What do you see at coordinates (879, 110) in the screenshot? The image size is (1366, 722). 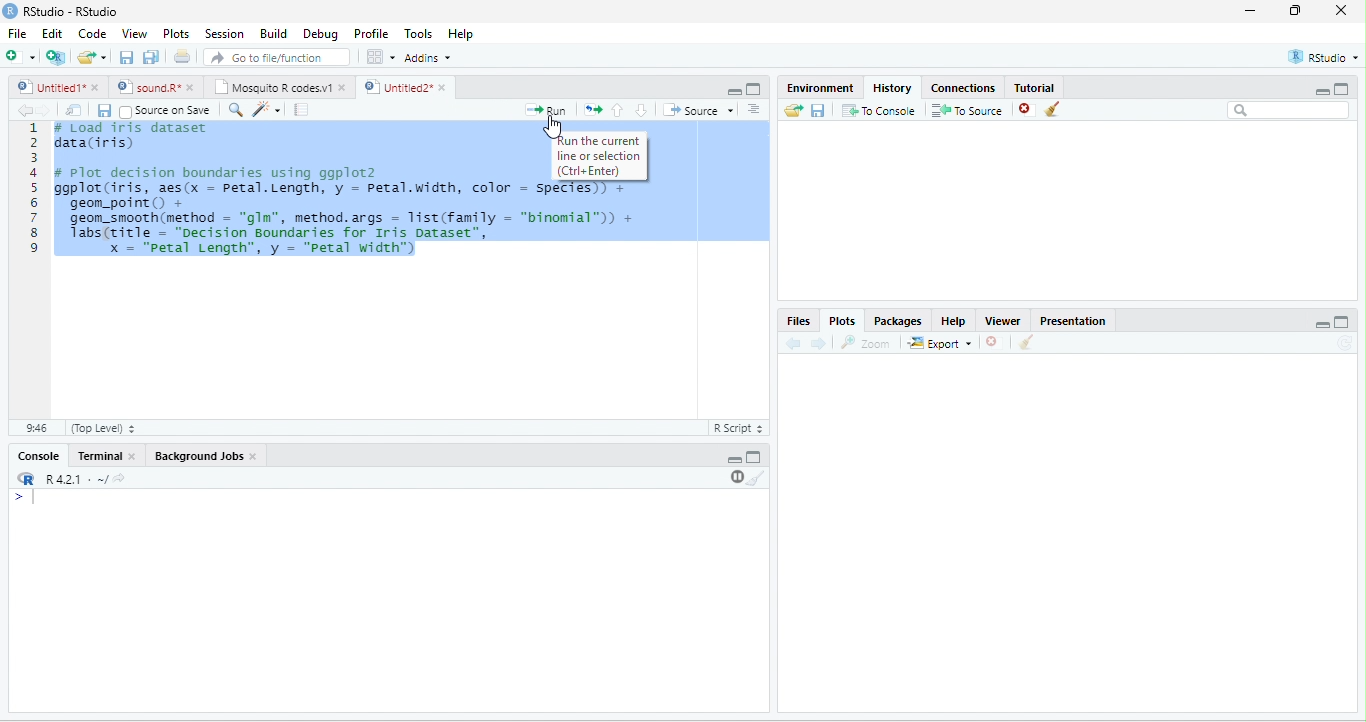 I see `To console` at bounding box center [879, 110].